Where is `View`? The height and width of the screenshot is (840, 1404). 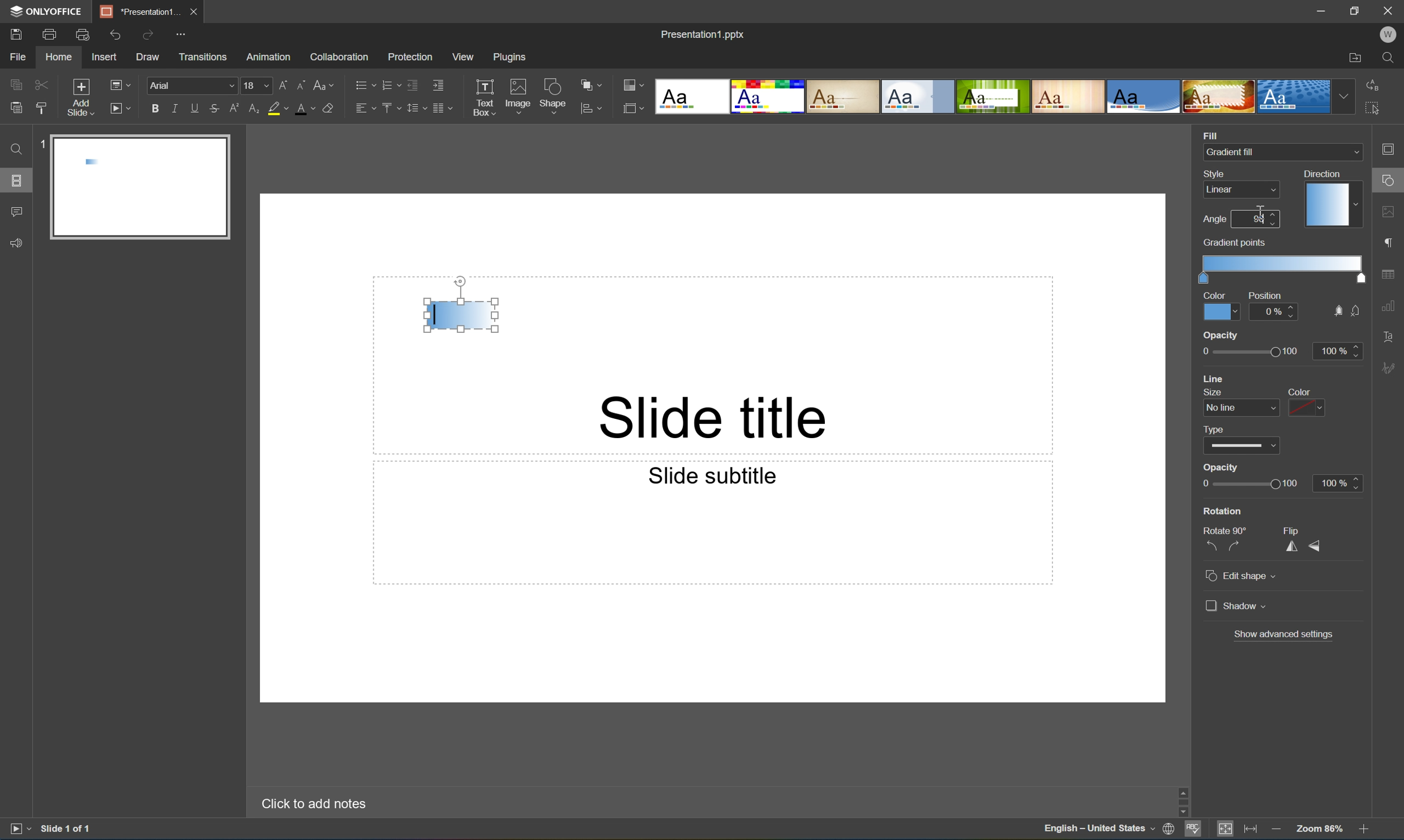 View is located at coordinates (464, 57).